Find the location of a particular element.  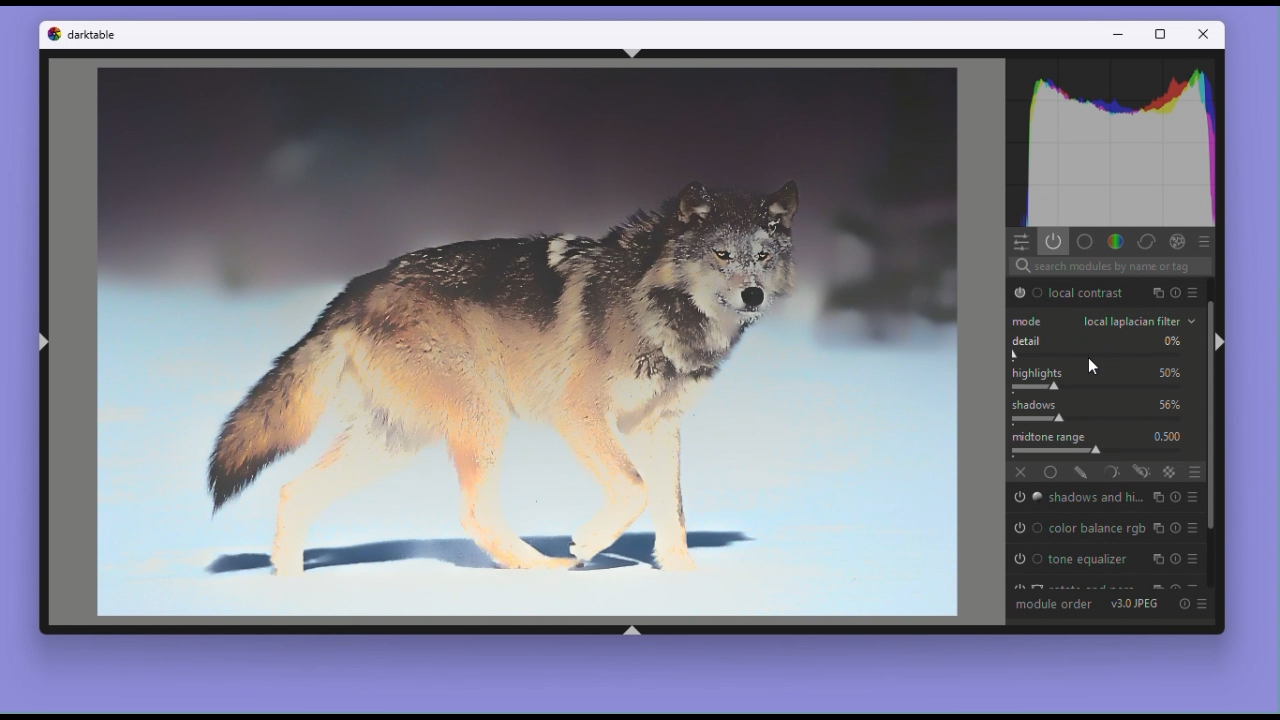

search modules by name or tage is located at coordinates (1111, 265).